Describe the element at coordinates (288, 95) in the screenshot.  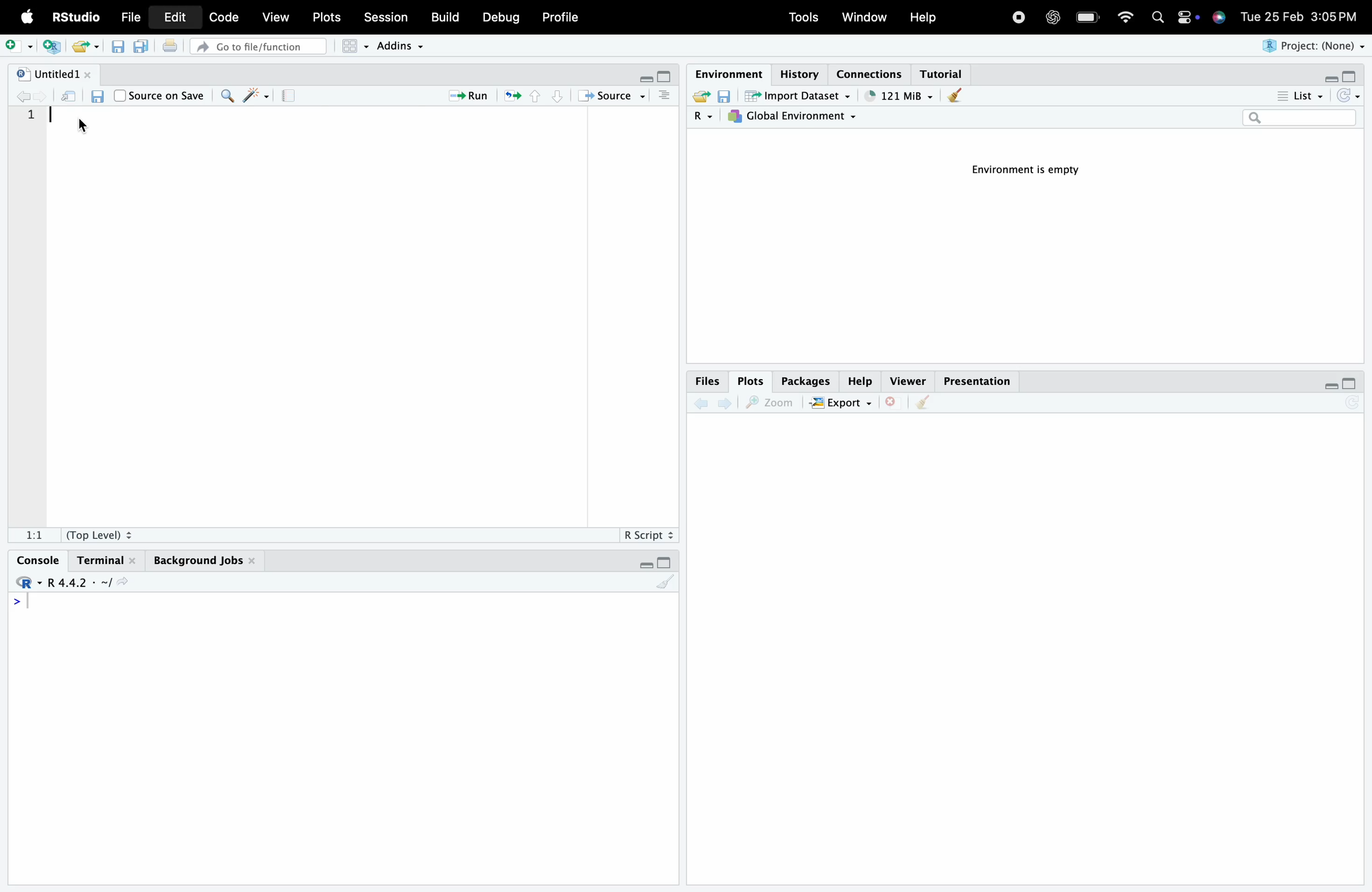
I see `Compile Report (Ctrl + Shift + K)` at that location.